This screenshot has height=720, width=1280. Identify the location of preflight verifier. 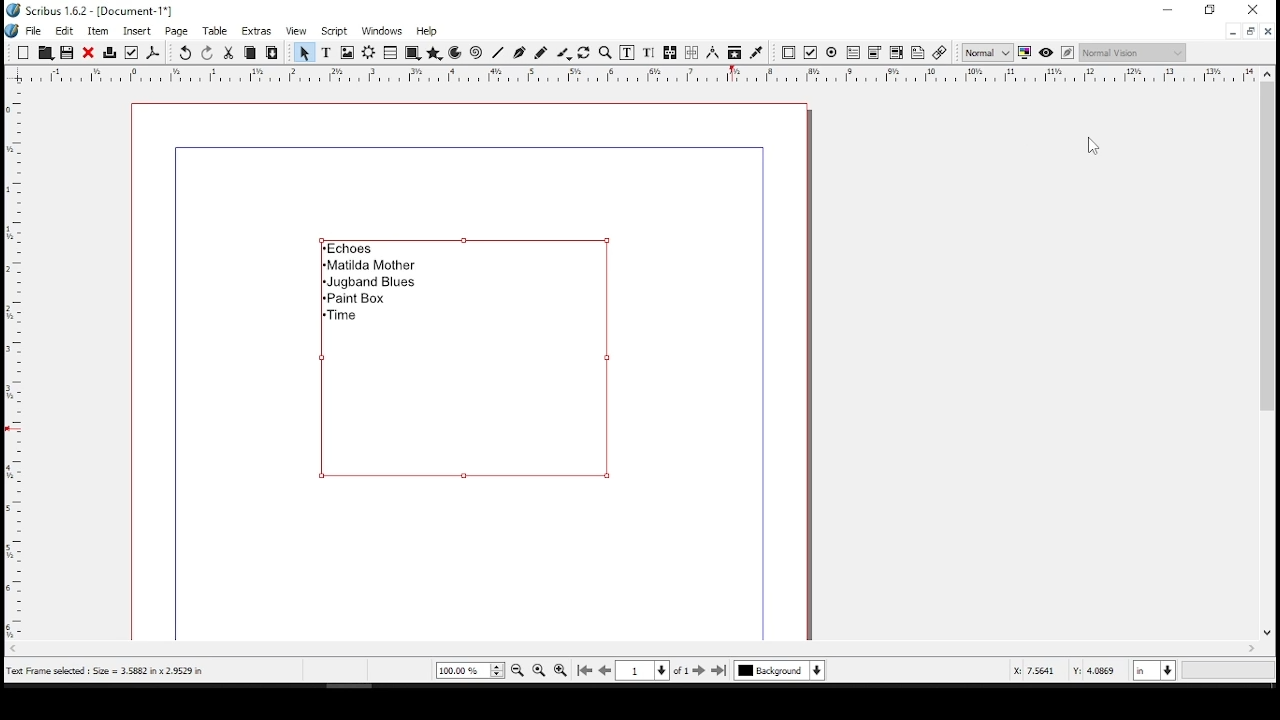
(133, 52).